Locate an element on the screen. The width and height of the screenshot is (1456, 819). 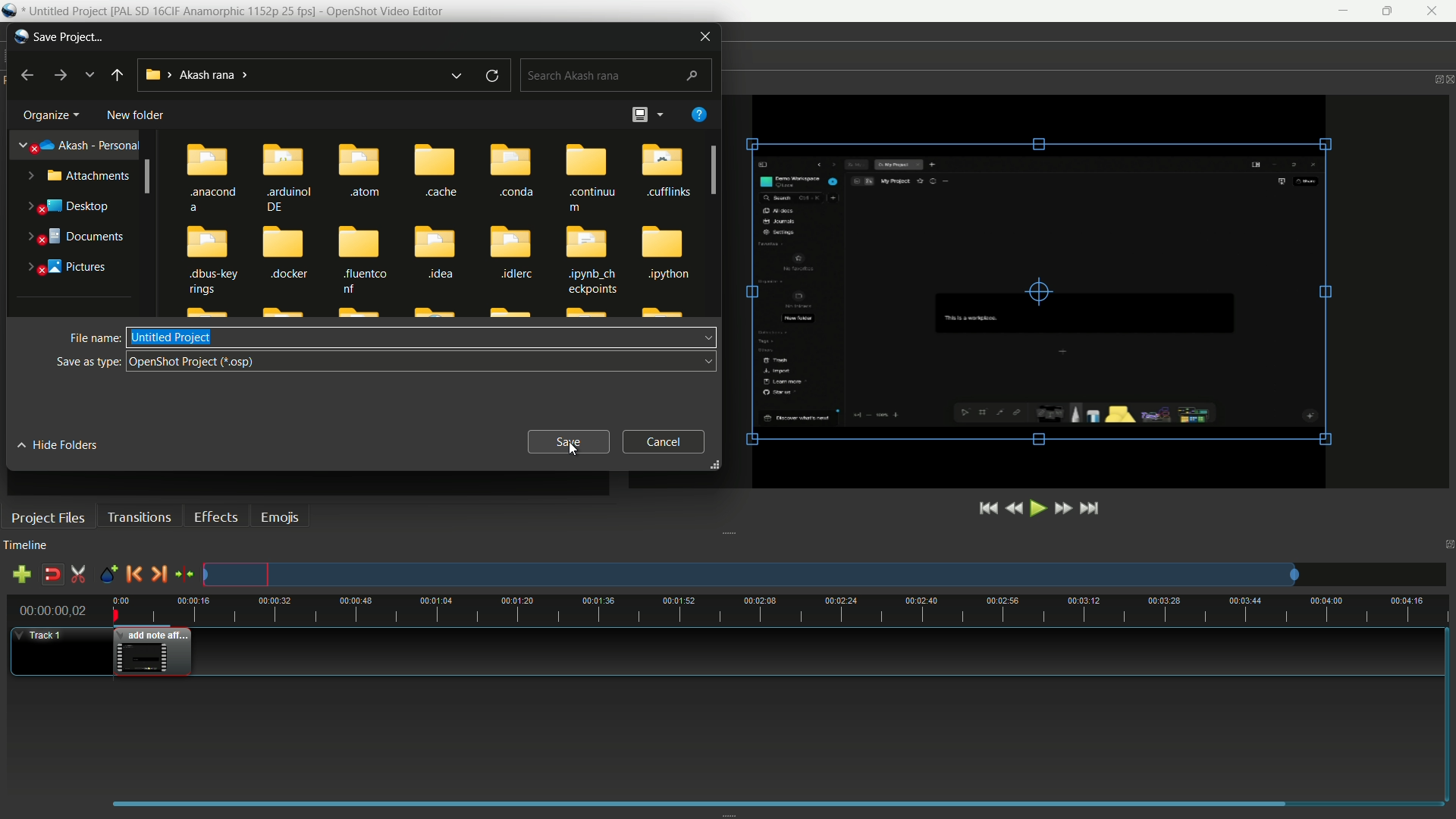
file name is located at coordinates (93, 338).